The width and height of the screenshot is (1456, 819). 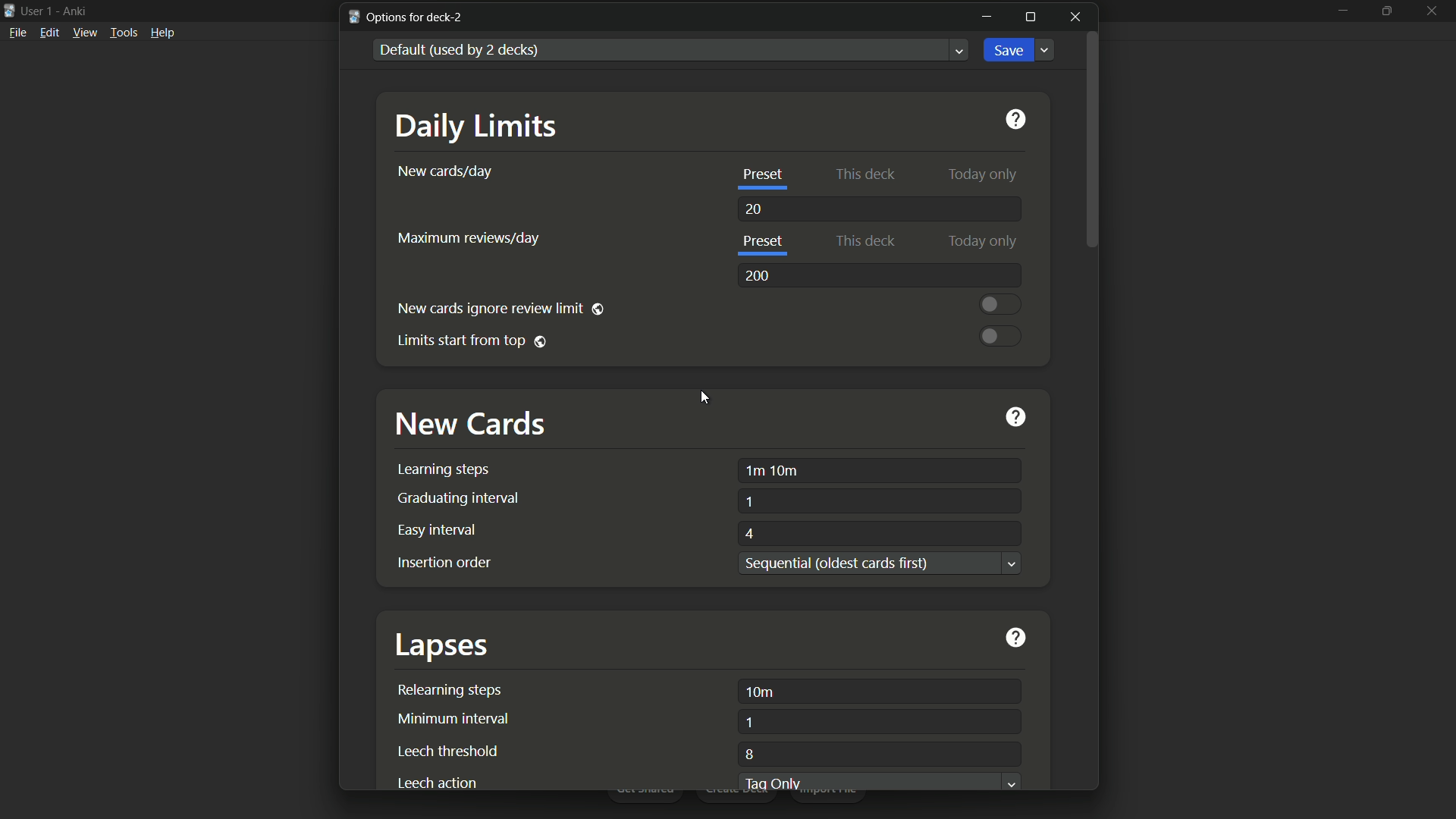 What do you see at coordinates (759, 276) in the screenshot?
I see `200` at bounding box center [759, 276].